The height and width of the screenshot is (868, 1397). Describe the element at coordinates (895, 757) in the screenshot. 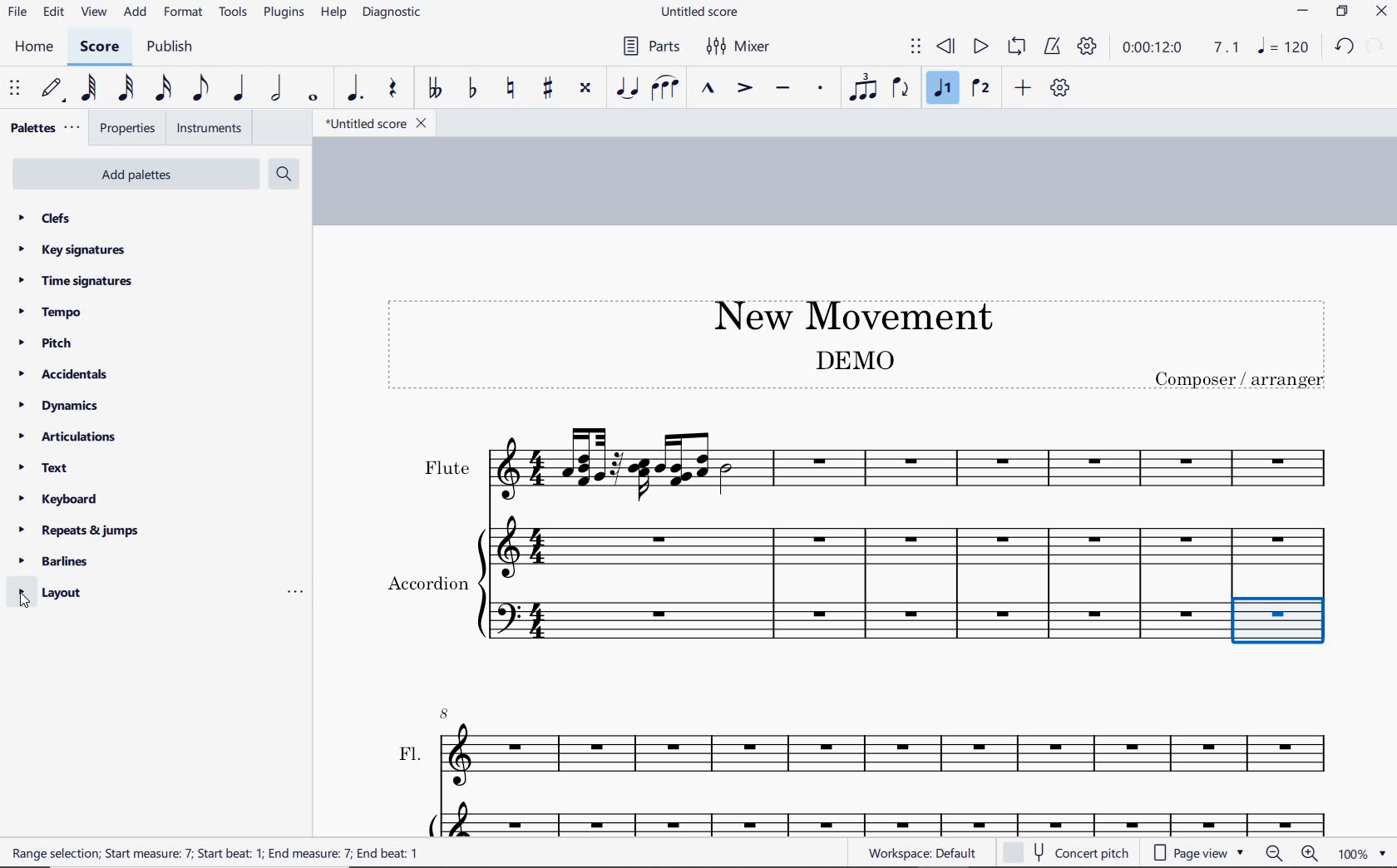

I see `FL` at that location.